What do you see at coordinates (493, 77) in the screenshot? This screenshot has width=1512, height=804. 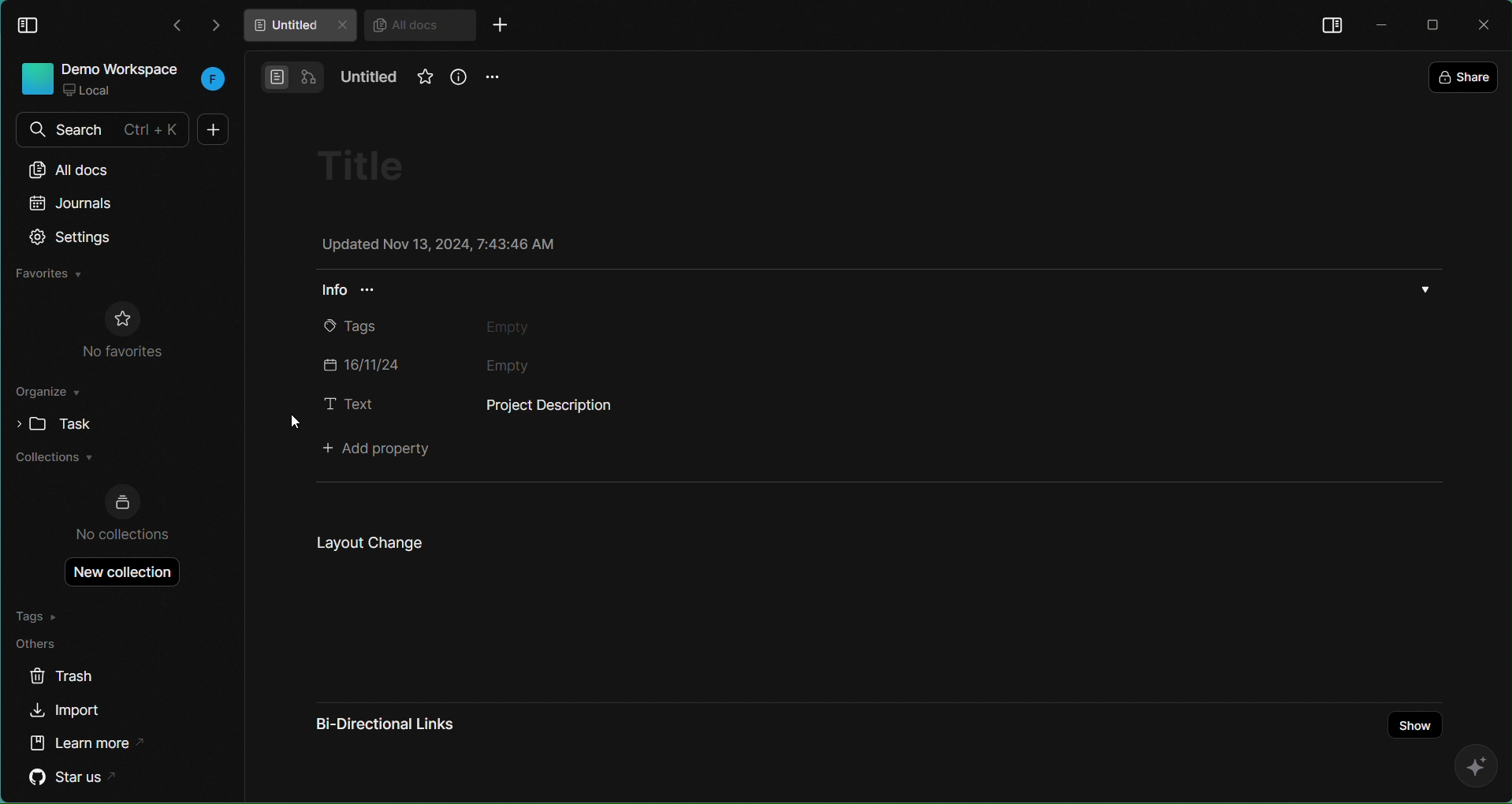 I see `menu` at bounding box center [493, 77].